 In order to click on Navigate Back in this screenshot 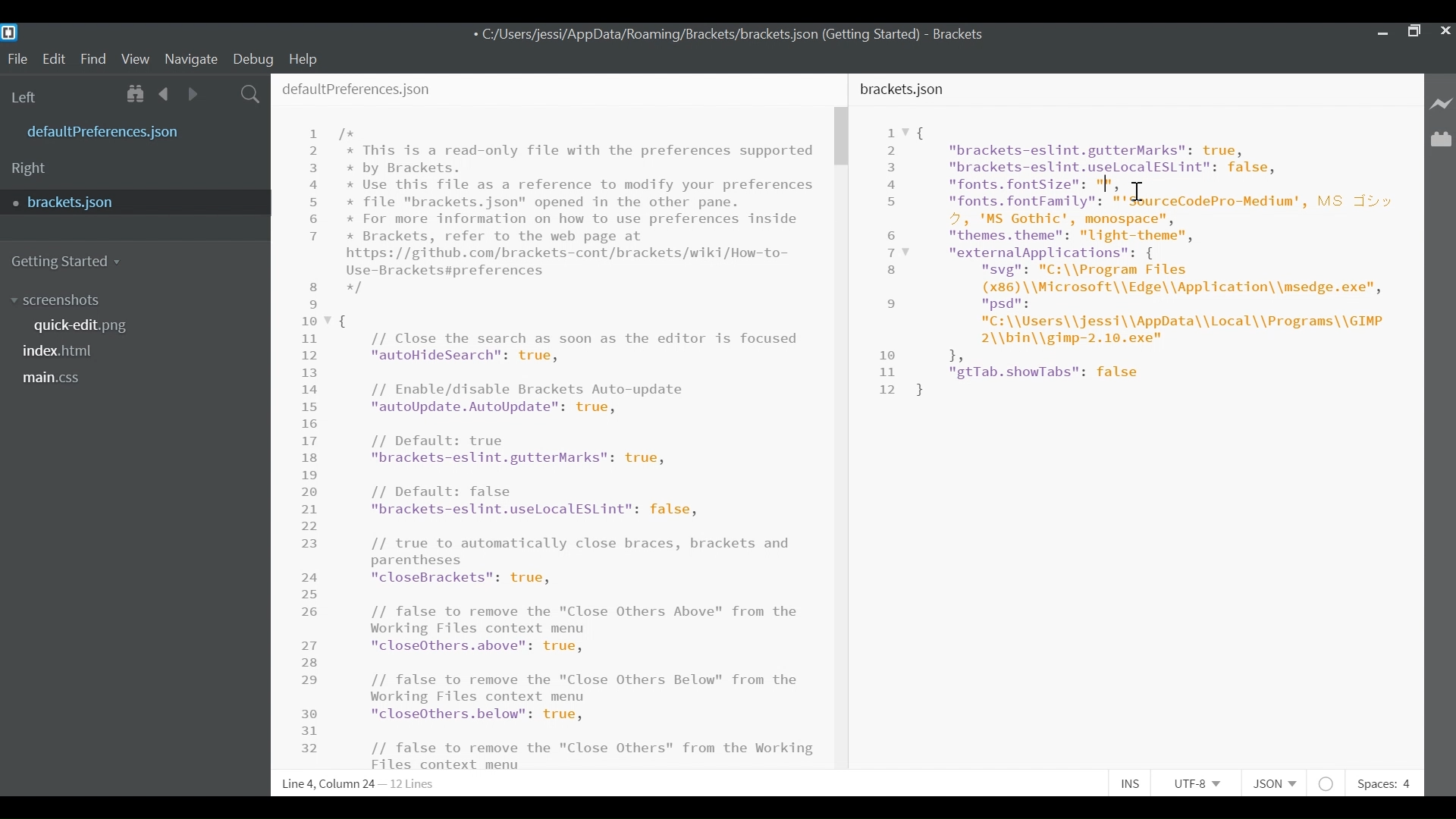, I will do `click(165, 93)`.